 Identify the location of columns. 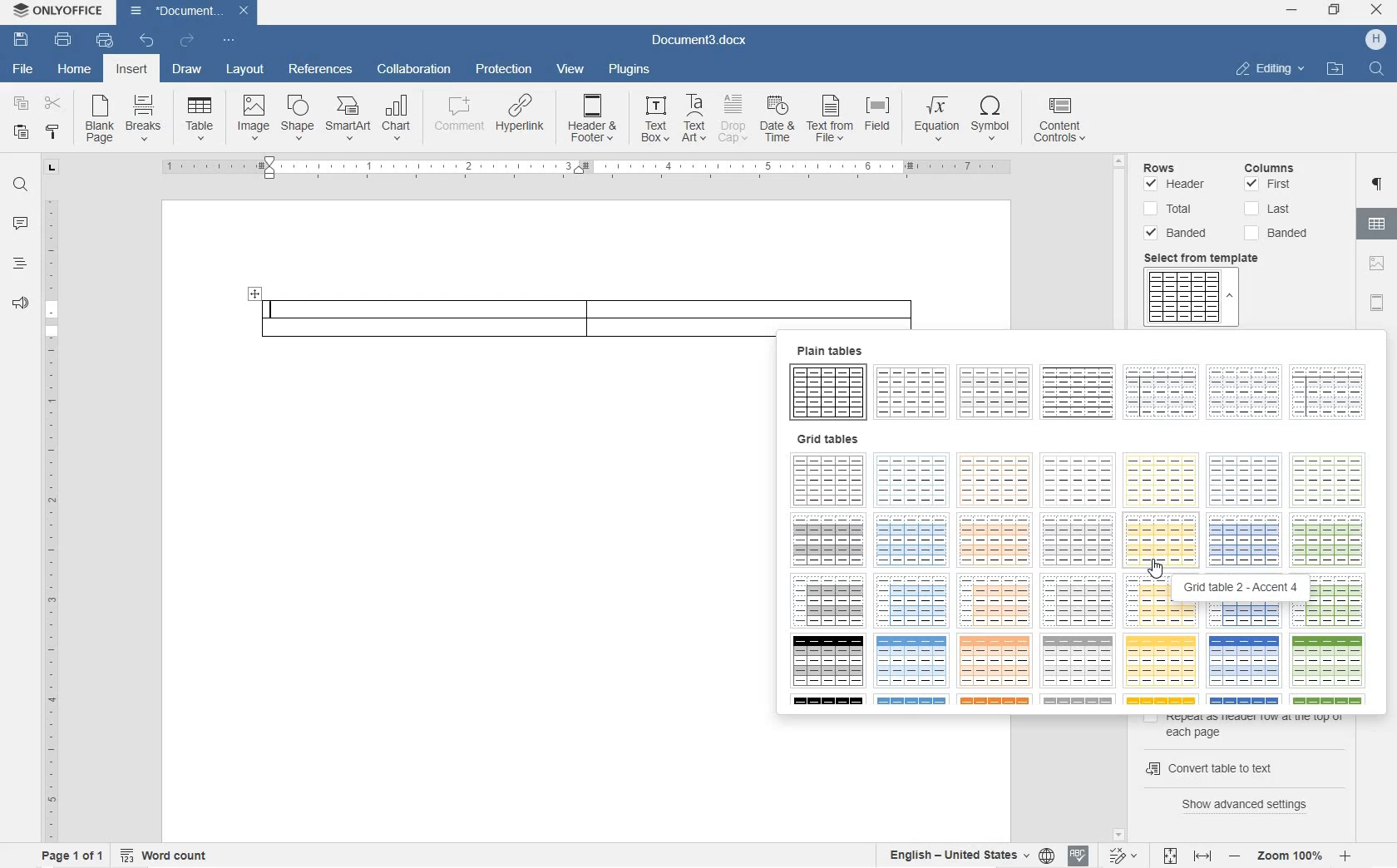
(1278, 165).